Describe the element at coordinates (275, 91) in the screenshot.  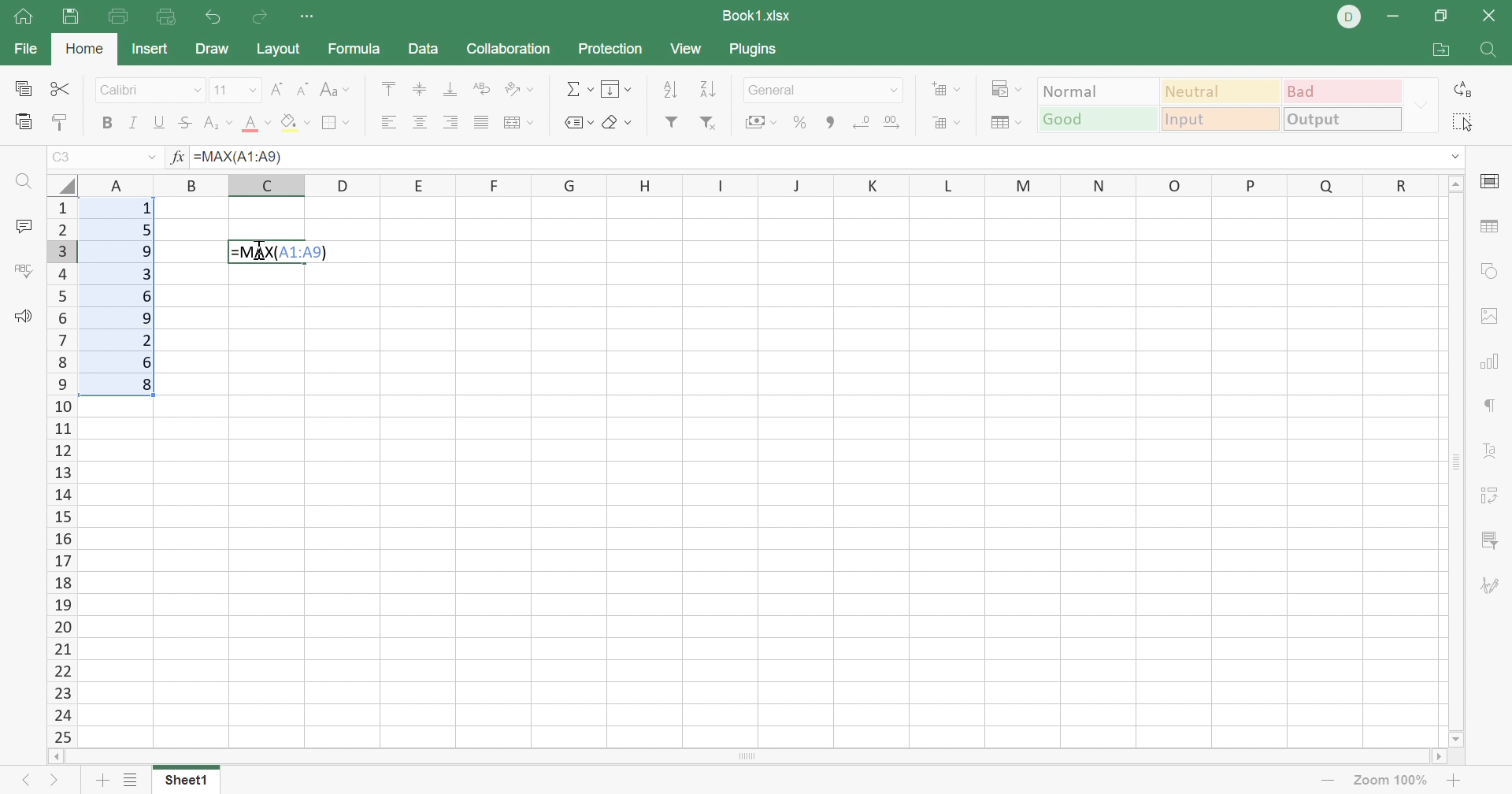
I see `Increment font size` at that location.